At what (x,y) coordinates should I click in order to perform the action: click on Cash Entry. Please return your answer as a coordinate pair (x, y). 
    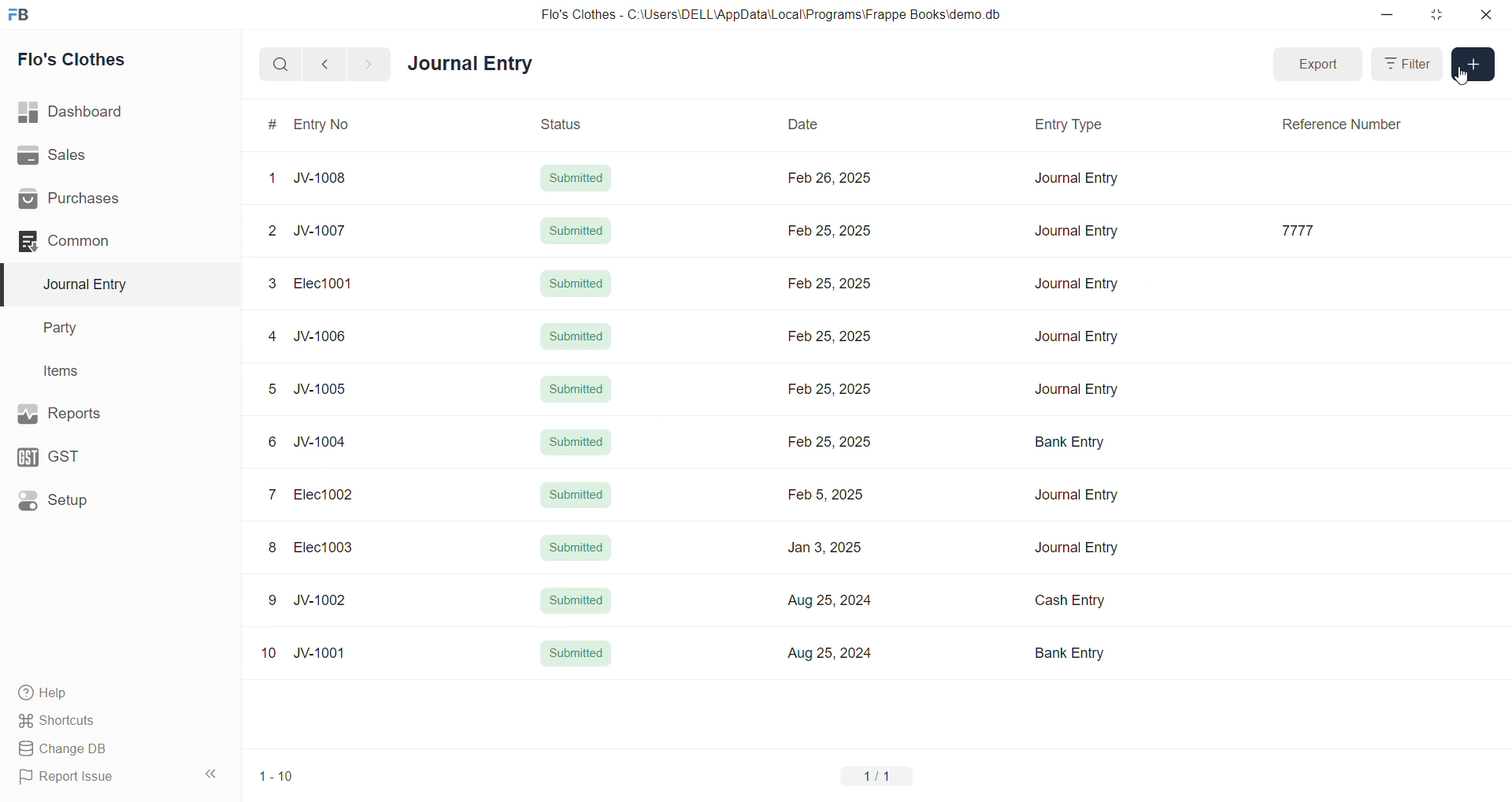
    Looking at the image, I should click on (1067, 600).